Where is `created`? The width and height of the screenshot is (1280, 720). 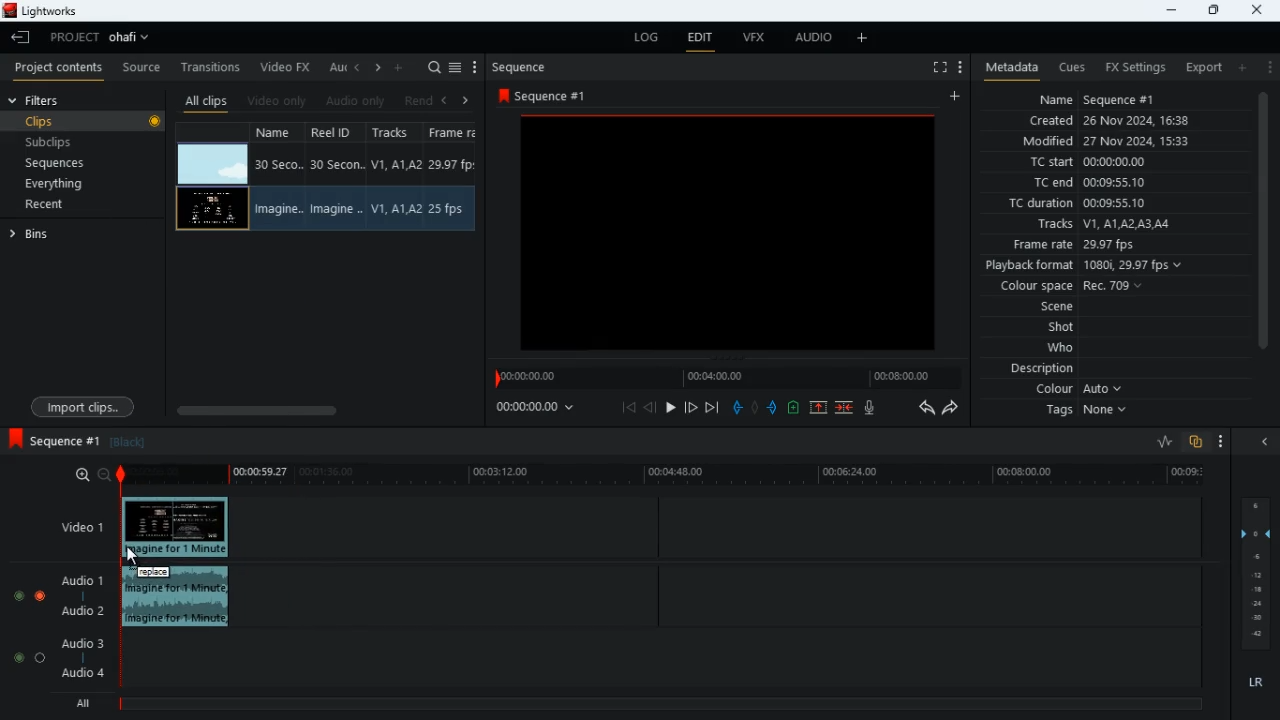 created is located at coordinates (1119, 122).